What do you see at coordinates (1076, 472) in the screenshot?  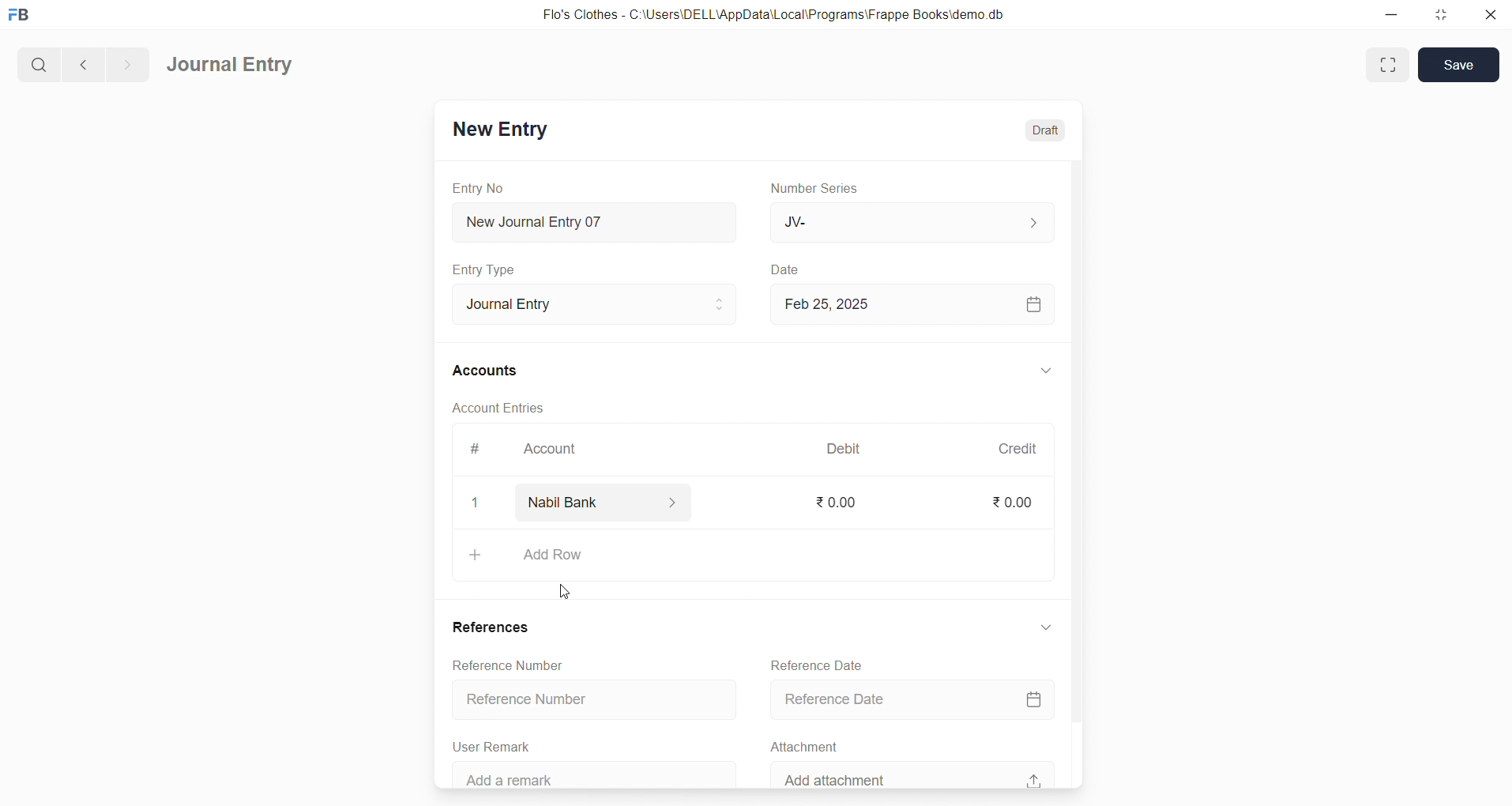 I see `vertical scroll bar` at bounding box center [1076, 472].